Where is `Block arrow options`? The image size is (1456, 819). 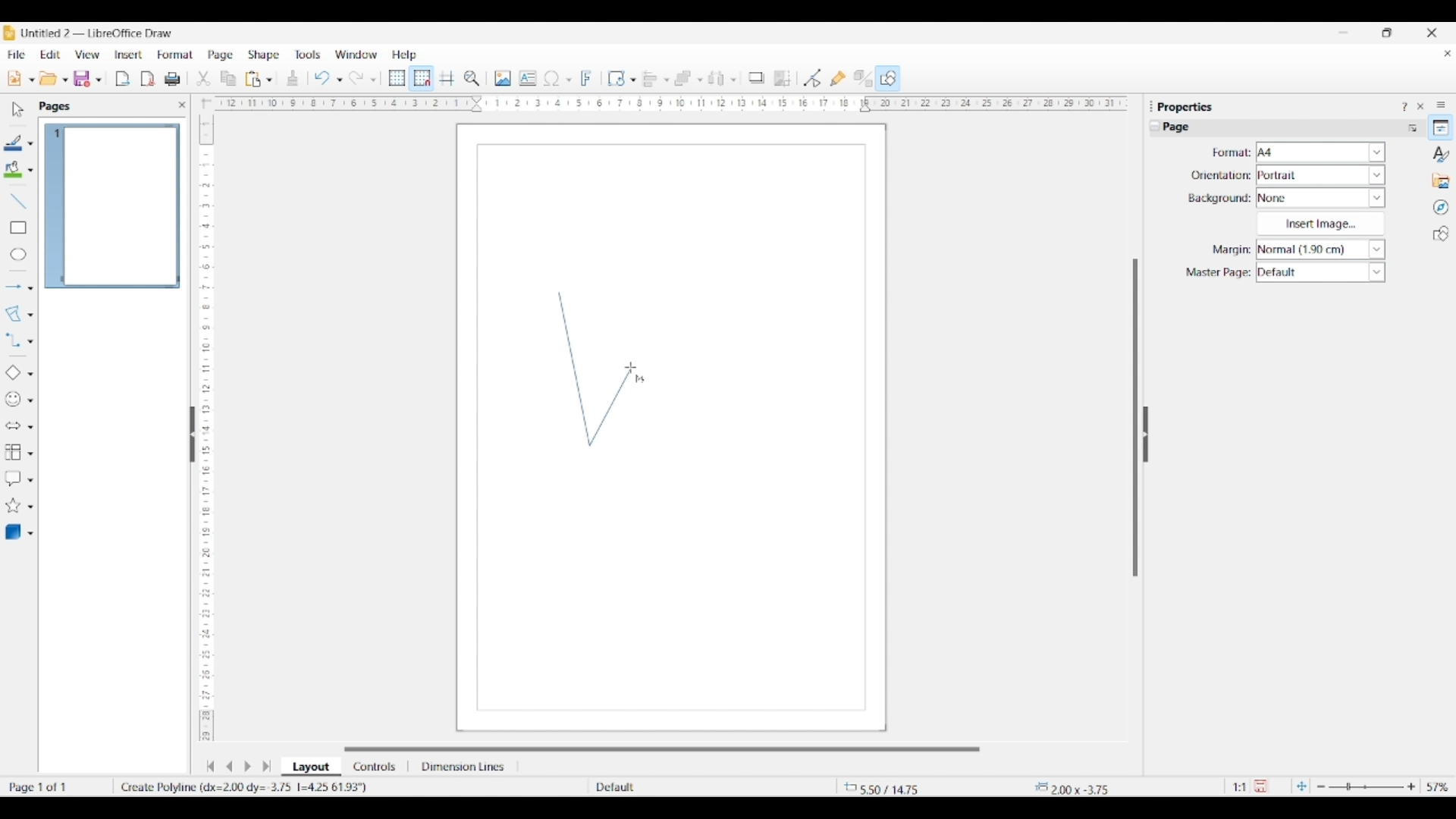 Block arrow options is located at coordinates (30, 427).